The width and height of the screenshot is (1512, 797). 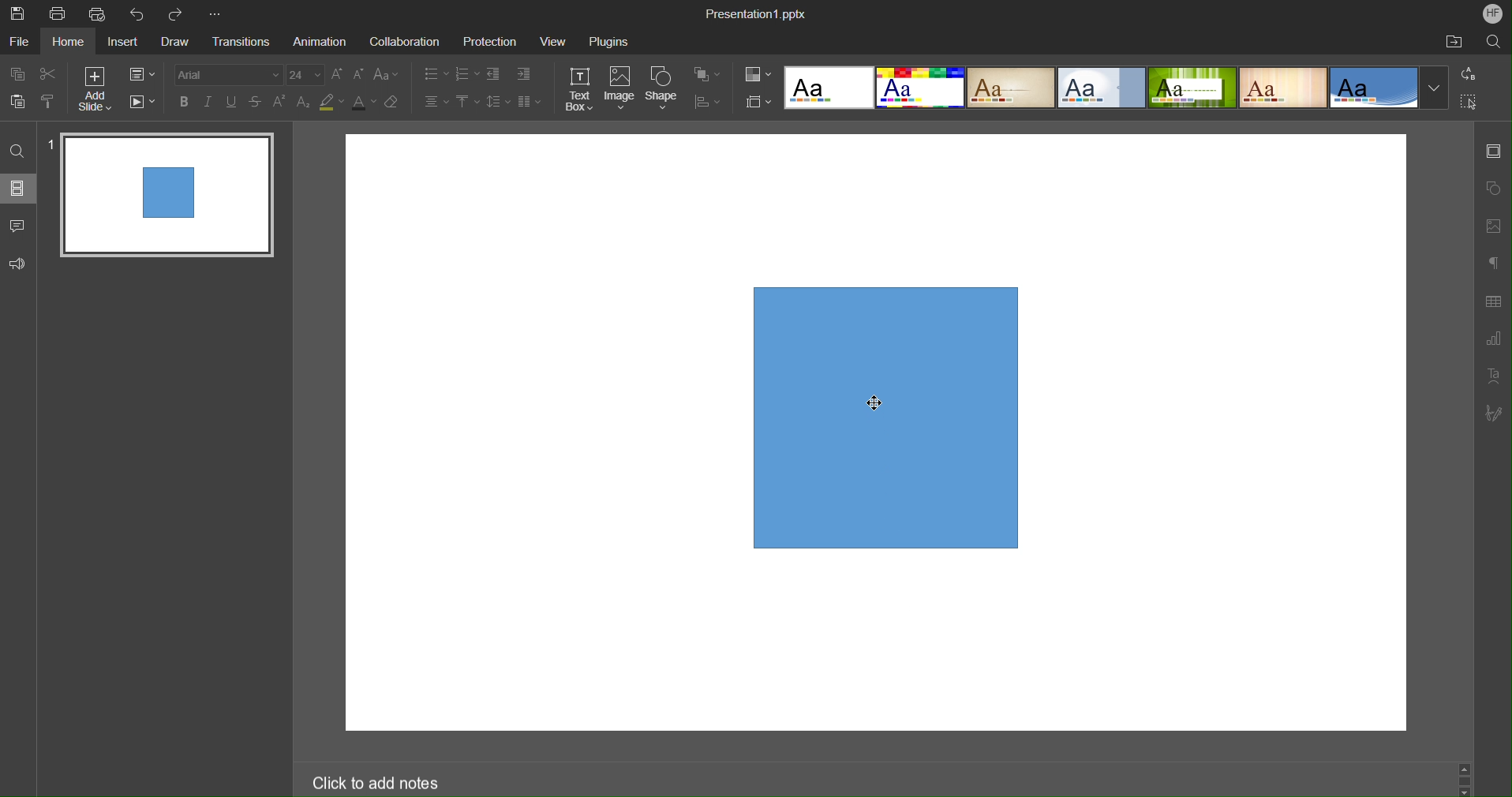 I want to click on Collaboration, so click(x=402, y=39).